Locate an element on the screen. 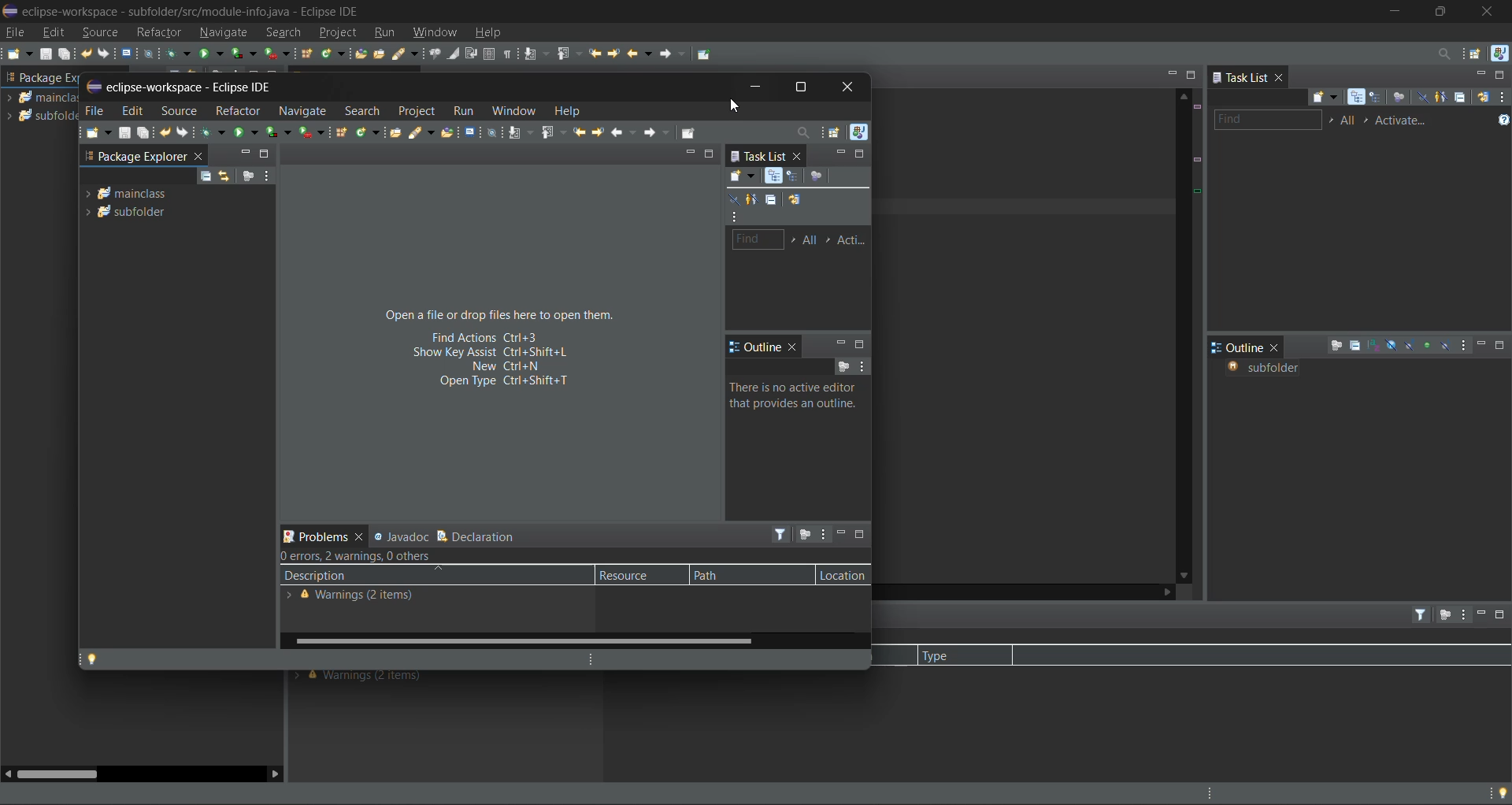  run is located at coordinates (461, 113).